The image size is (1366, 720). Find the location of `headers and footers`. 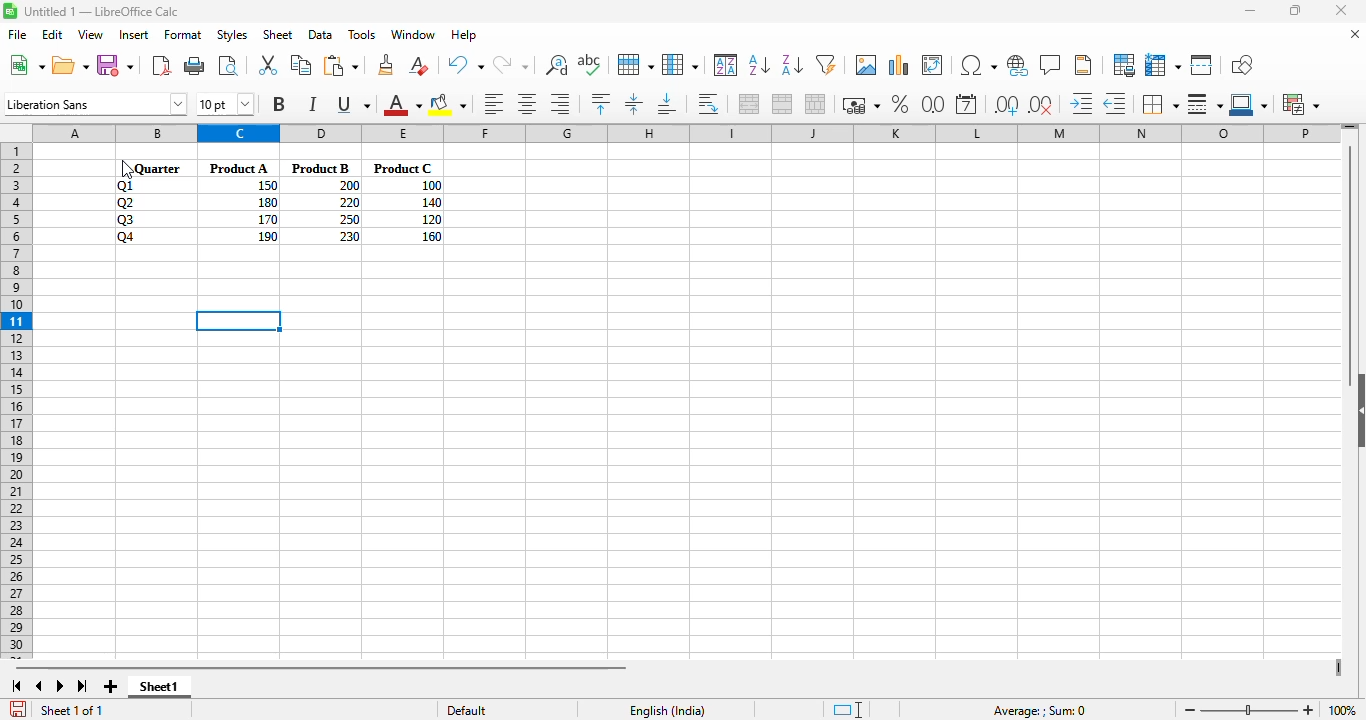

headers and footers is located at coordinates (1083, 65).